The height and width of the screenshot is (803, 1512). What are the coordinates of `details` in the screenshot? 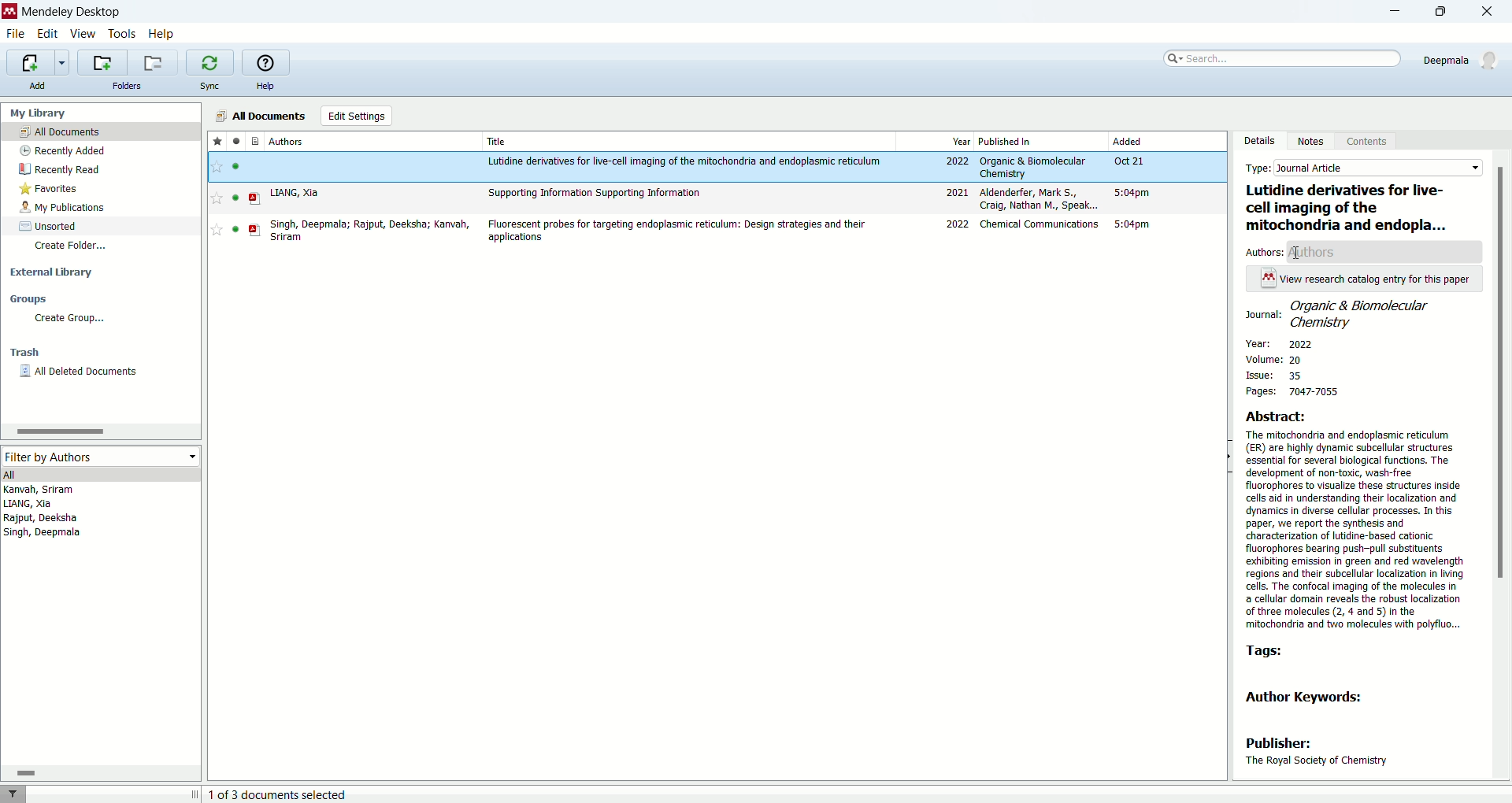 It's located at (1254, 143).